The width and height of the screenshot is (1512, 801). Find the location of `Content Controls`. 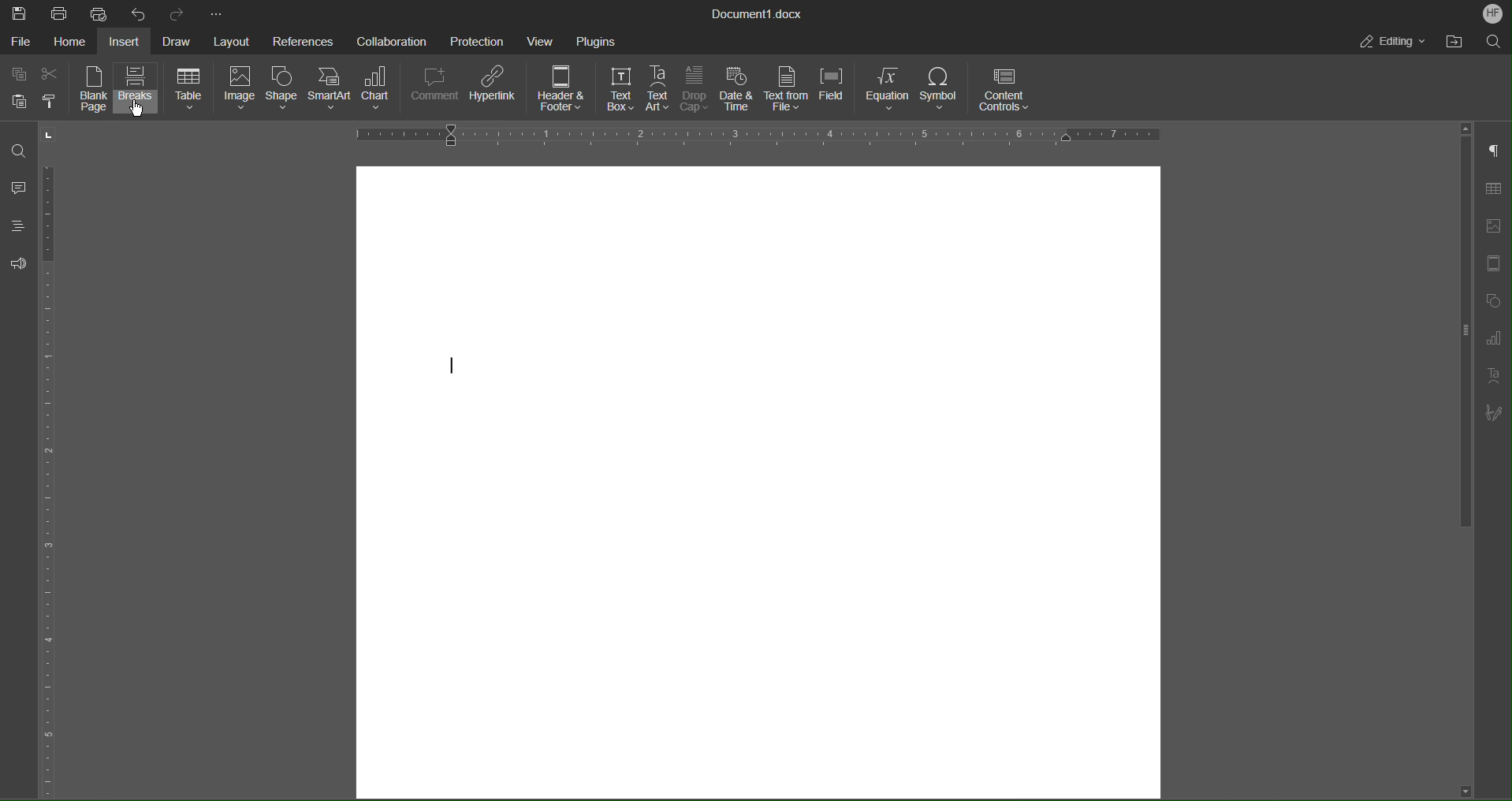

Content Controls is located at coordinates (1006, 89).